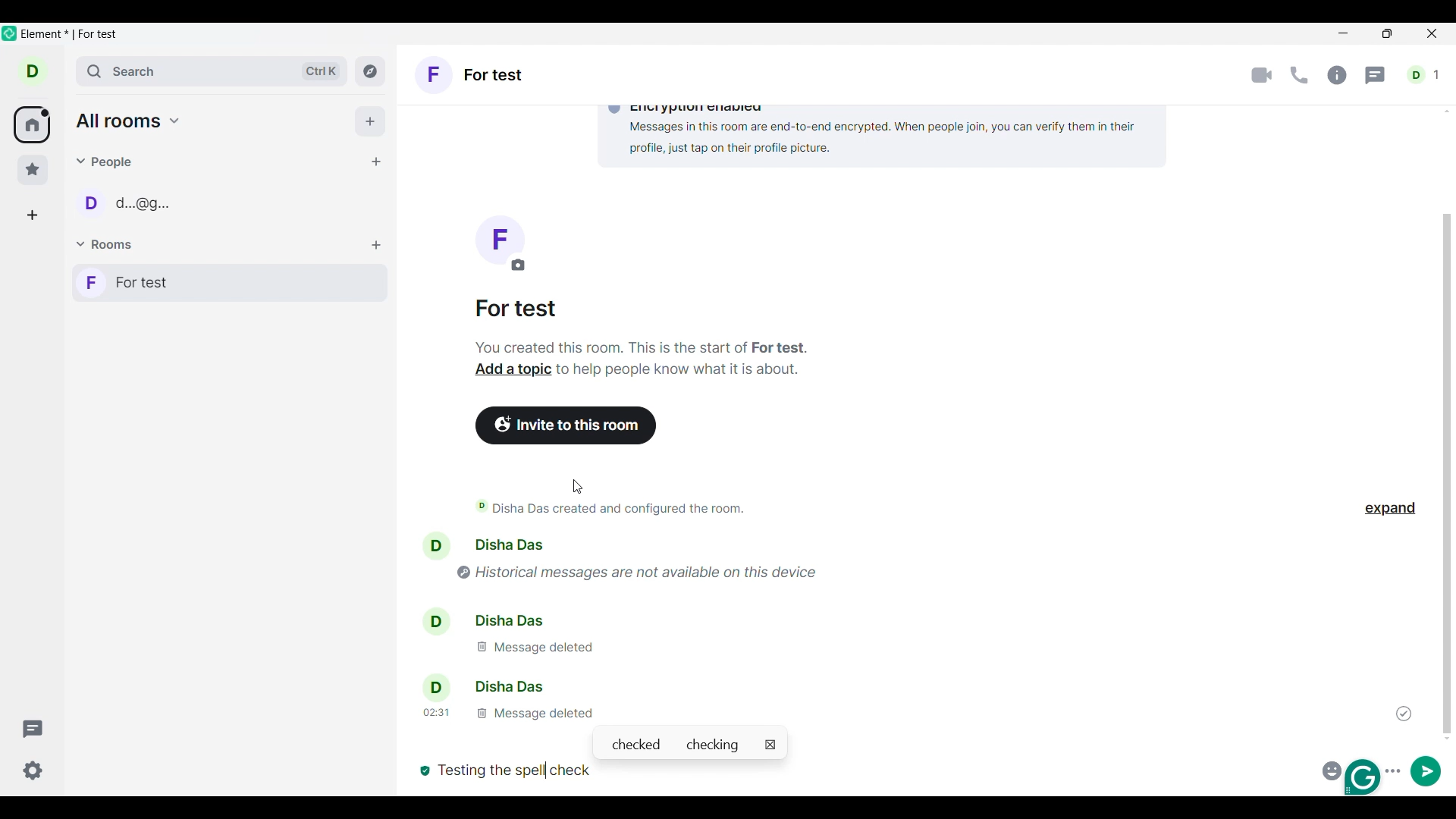 Image resolution: width=1456 pixels, height=819 pixels. Describe the element at coordinates (33, 71) in the screenshot. I see `d` at that location.